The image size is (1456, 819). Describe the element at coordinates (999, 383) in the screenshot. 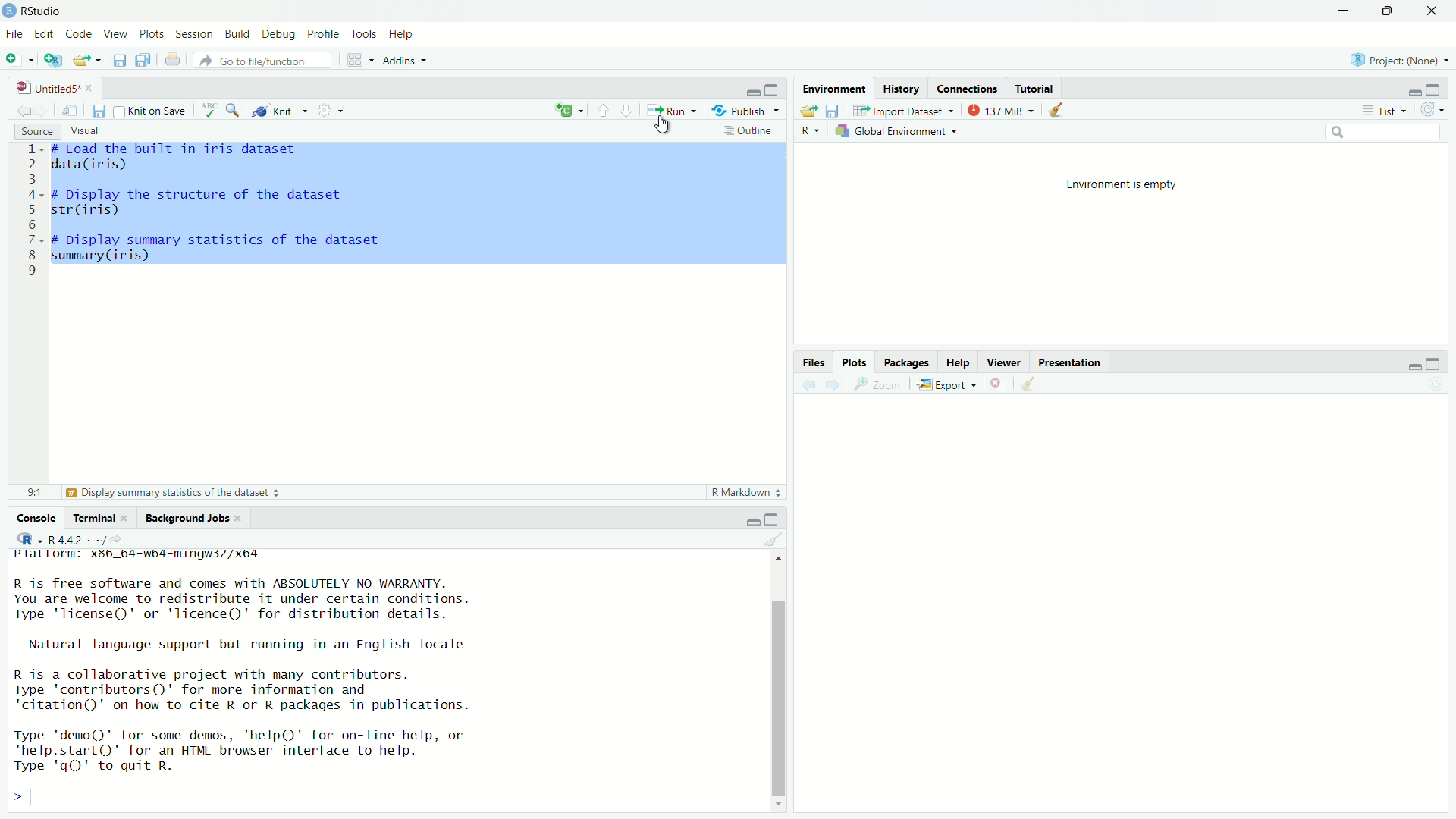

I see `Remove selected` at that location.